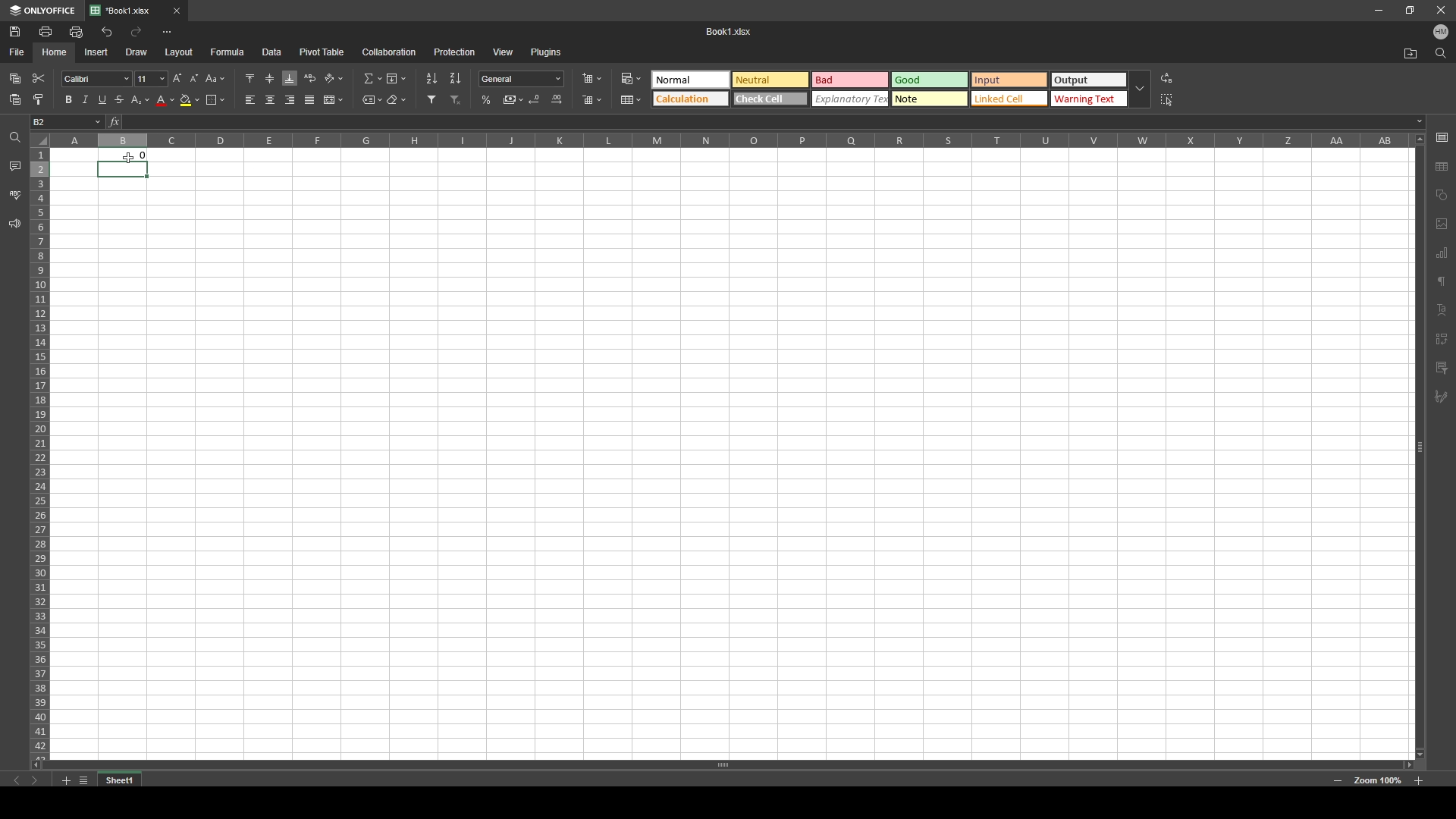 Image resolution: width=1456 pixels, height=819 pixels. Describe the element at coordinates (129, 158) in the screenshot. I see `Cursor` at that location.